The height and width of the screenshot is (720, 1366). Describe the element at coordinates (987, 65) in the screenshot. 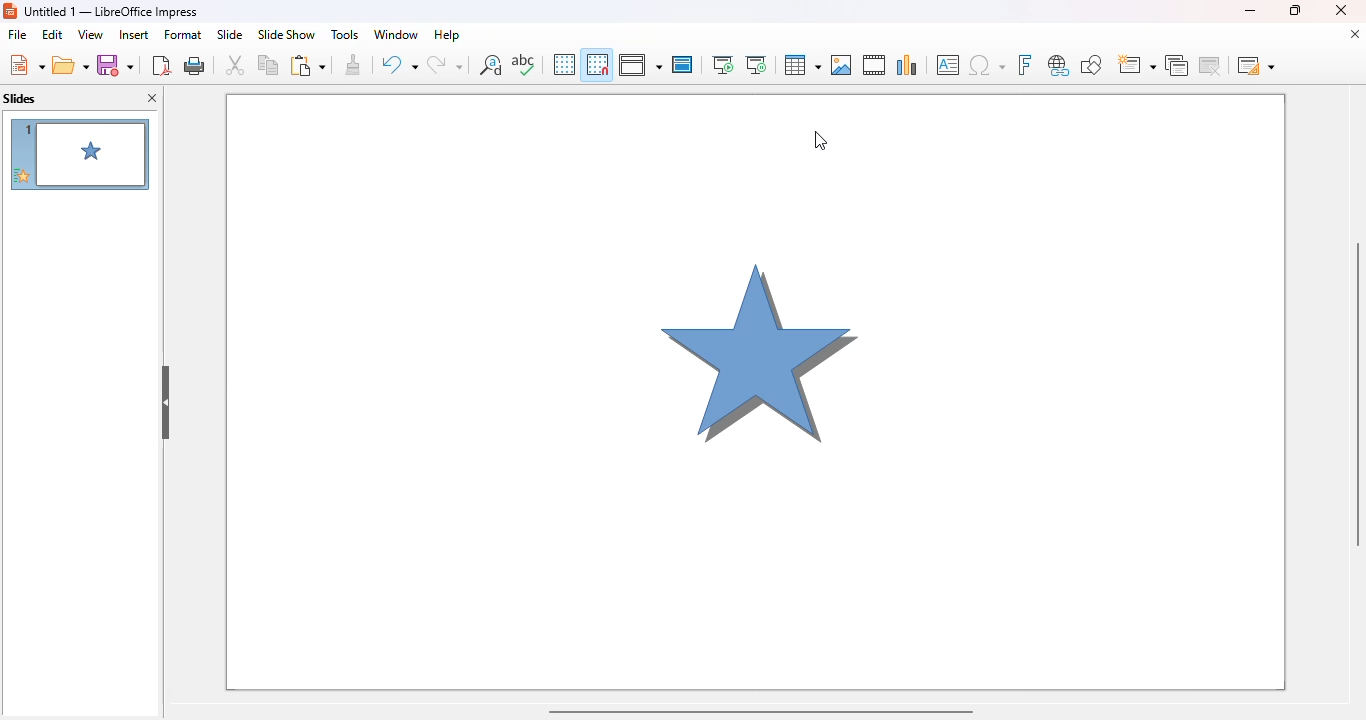

I see `insert special characters` at that location.